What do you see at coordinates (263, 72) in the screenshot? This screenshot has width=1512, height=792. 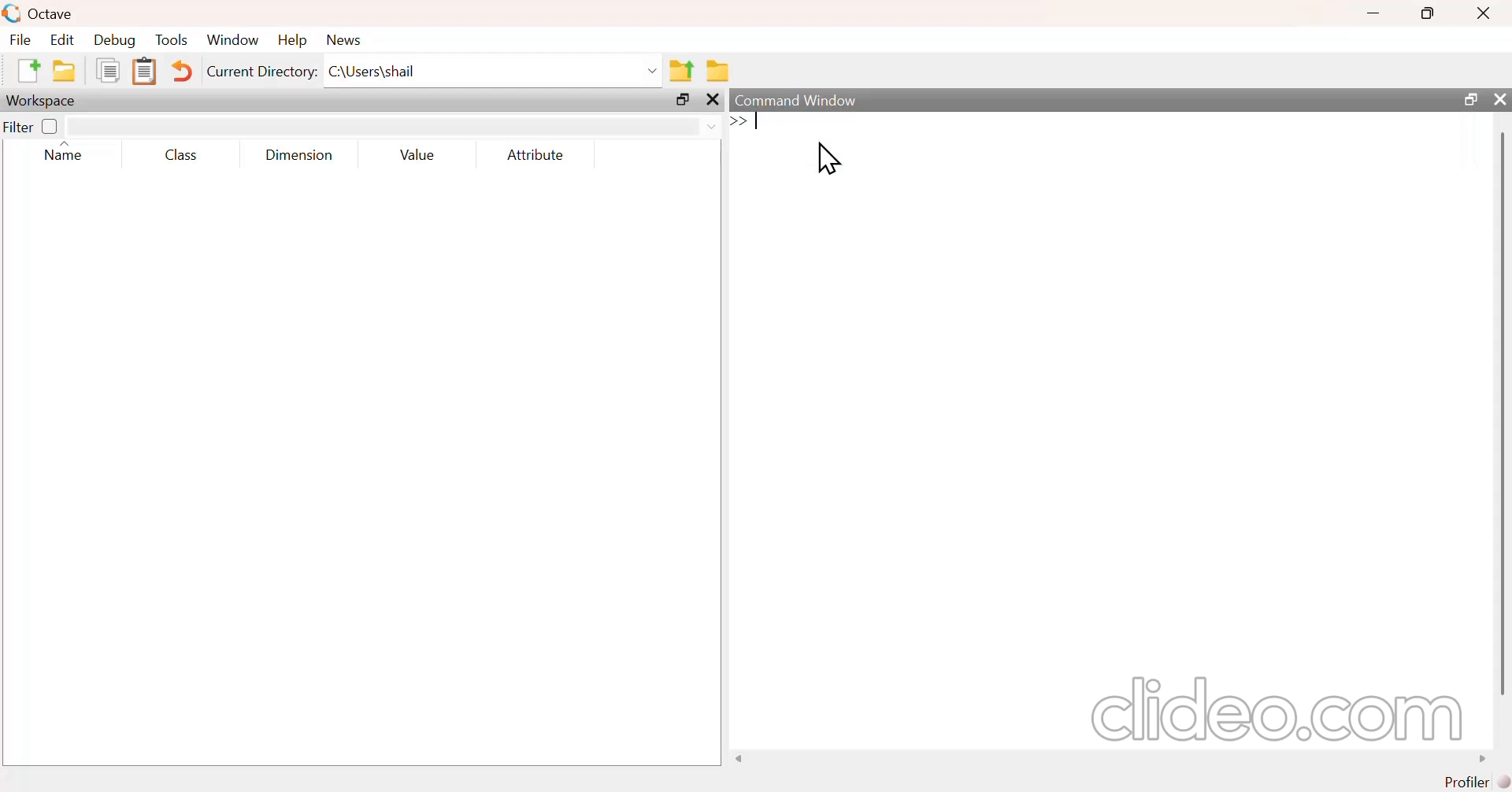 I see `current directory` at bounding box center [263, 72].